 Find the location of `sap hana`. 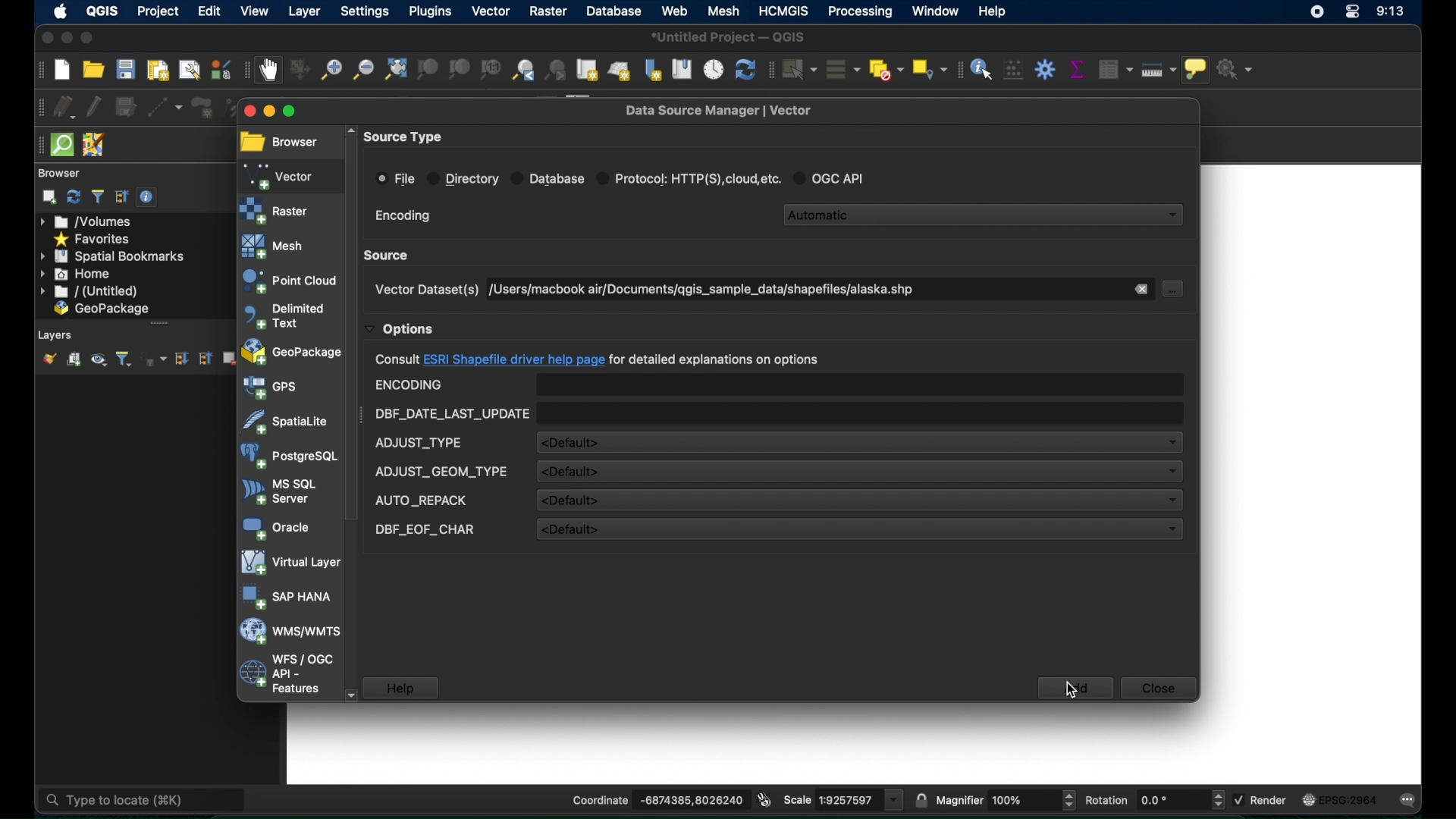

sap hana is located at coordinates (287, 598).